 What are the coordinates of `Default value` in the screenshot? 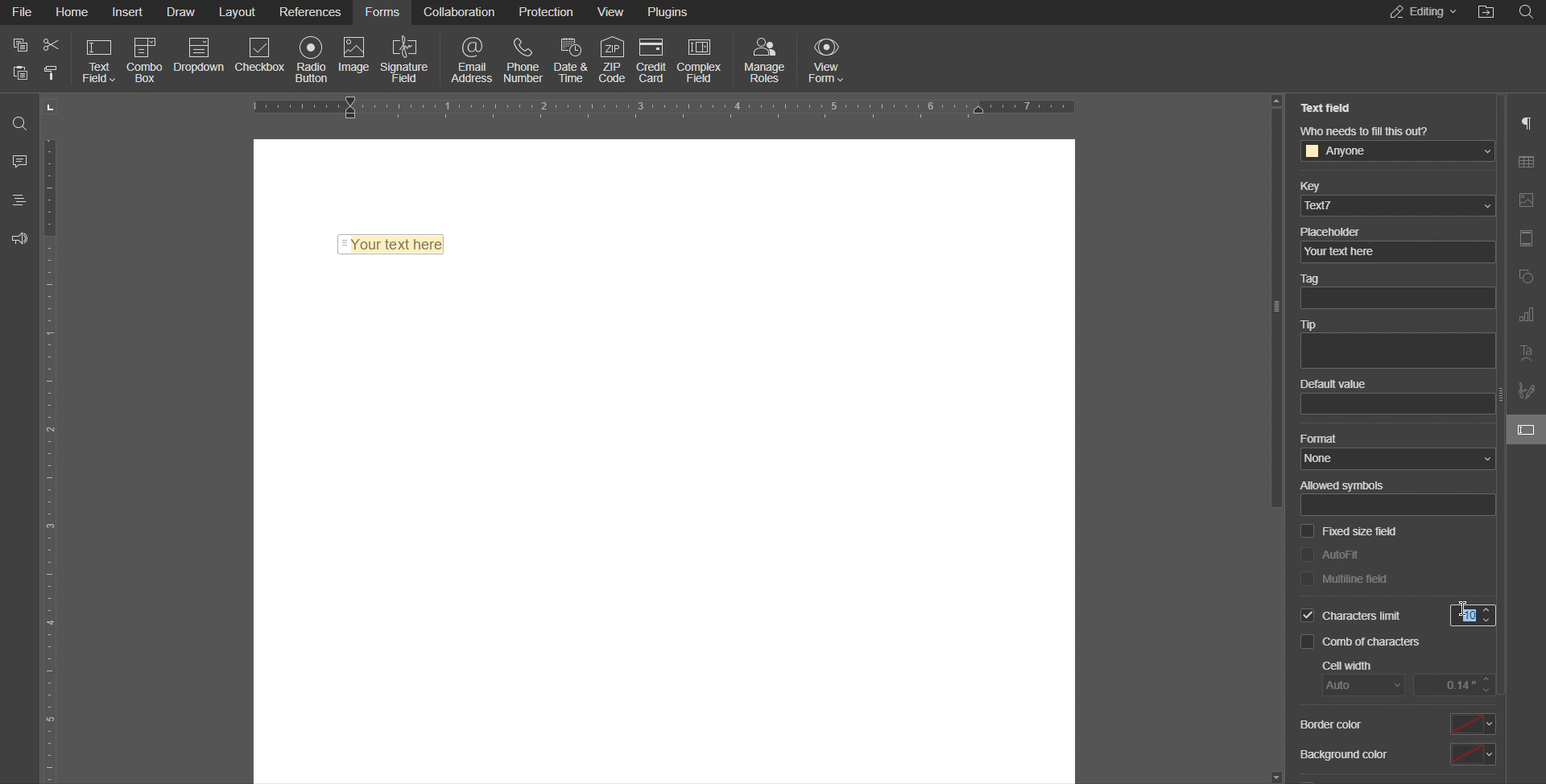 It's located at (1397, 396).